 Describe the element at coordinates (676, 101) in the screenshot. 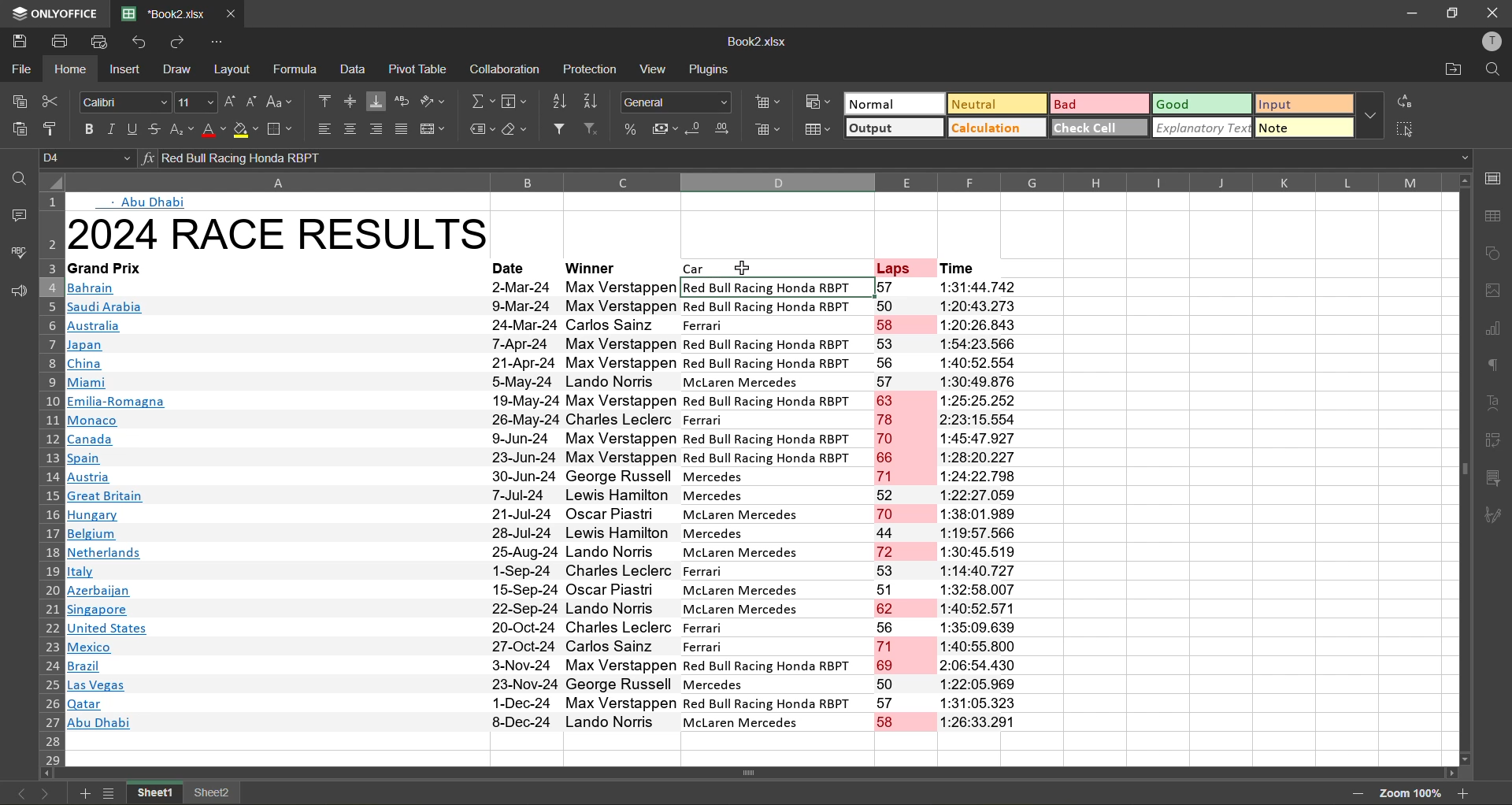

I see `number format` at that location.